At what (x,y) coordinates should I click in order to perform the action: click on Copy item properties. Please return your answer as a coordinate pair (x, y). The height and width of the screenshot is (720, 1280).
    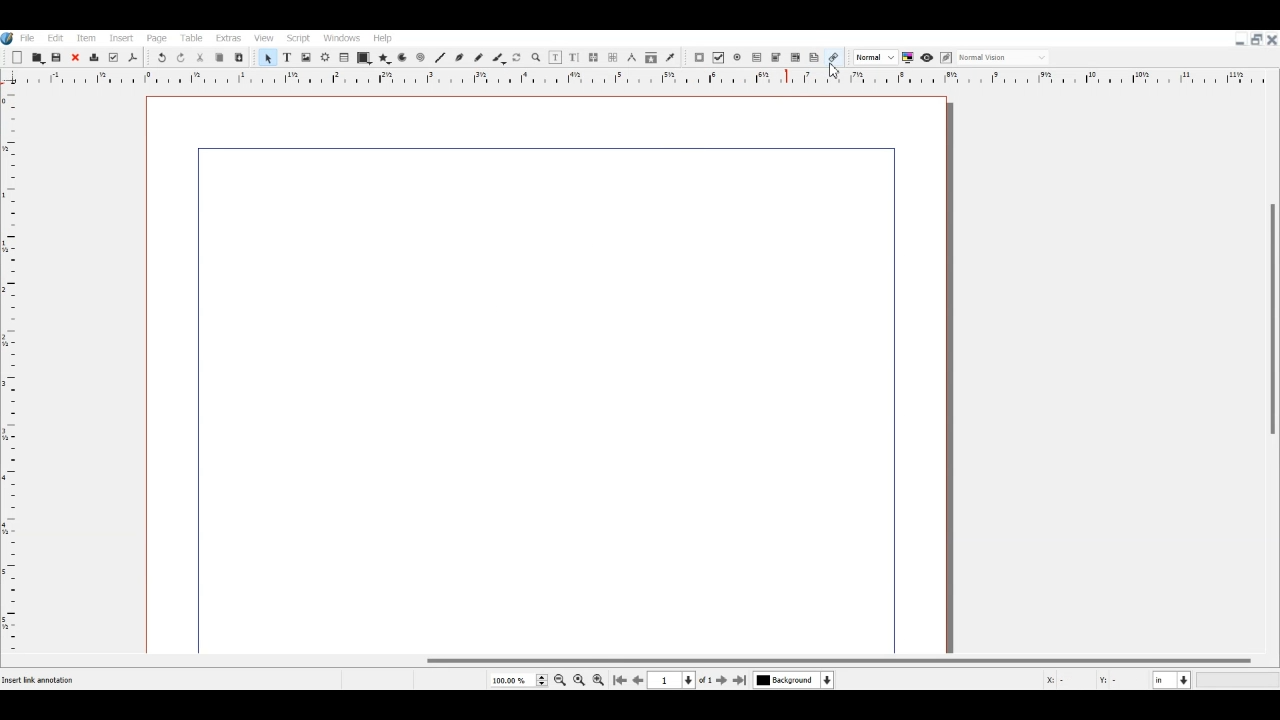
    Looking at the image, I should click on (651, 59).